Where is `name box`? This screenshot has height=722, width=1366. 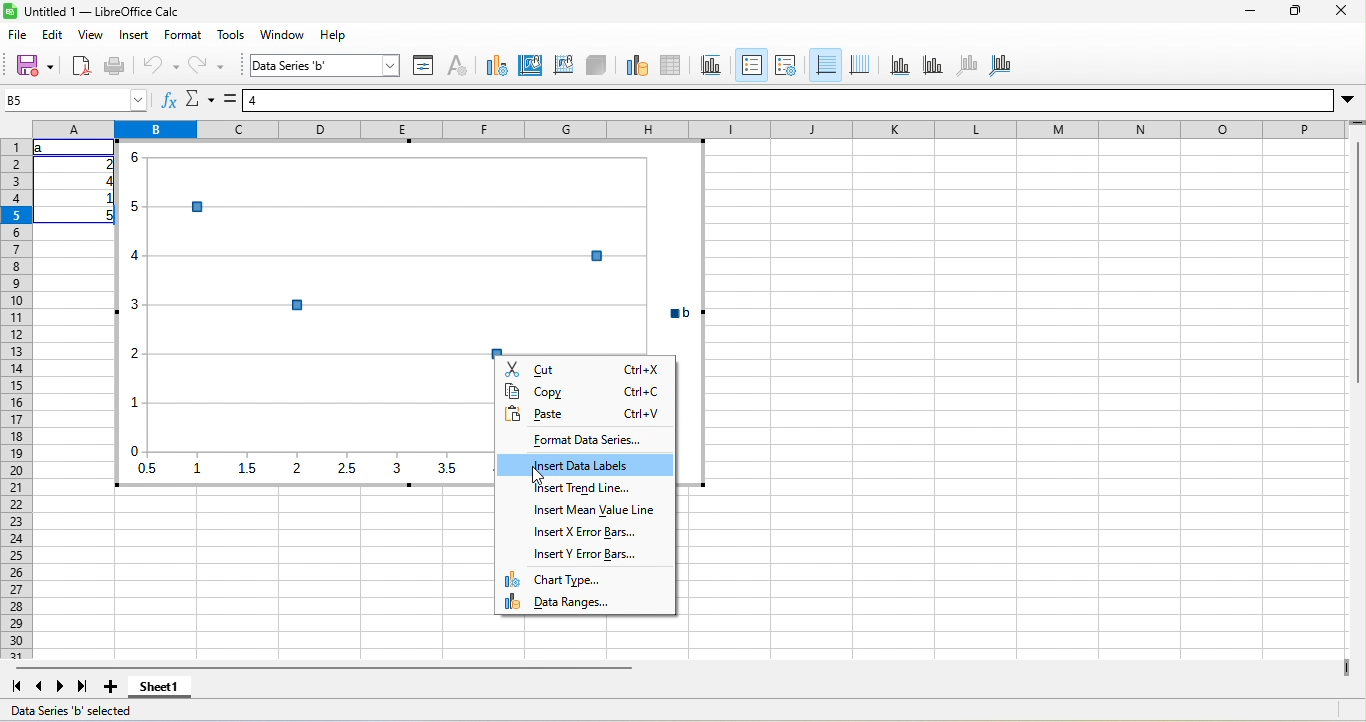 name box is located at coordinates (76, 100).